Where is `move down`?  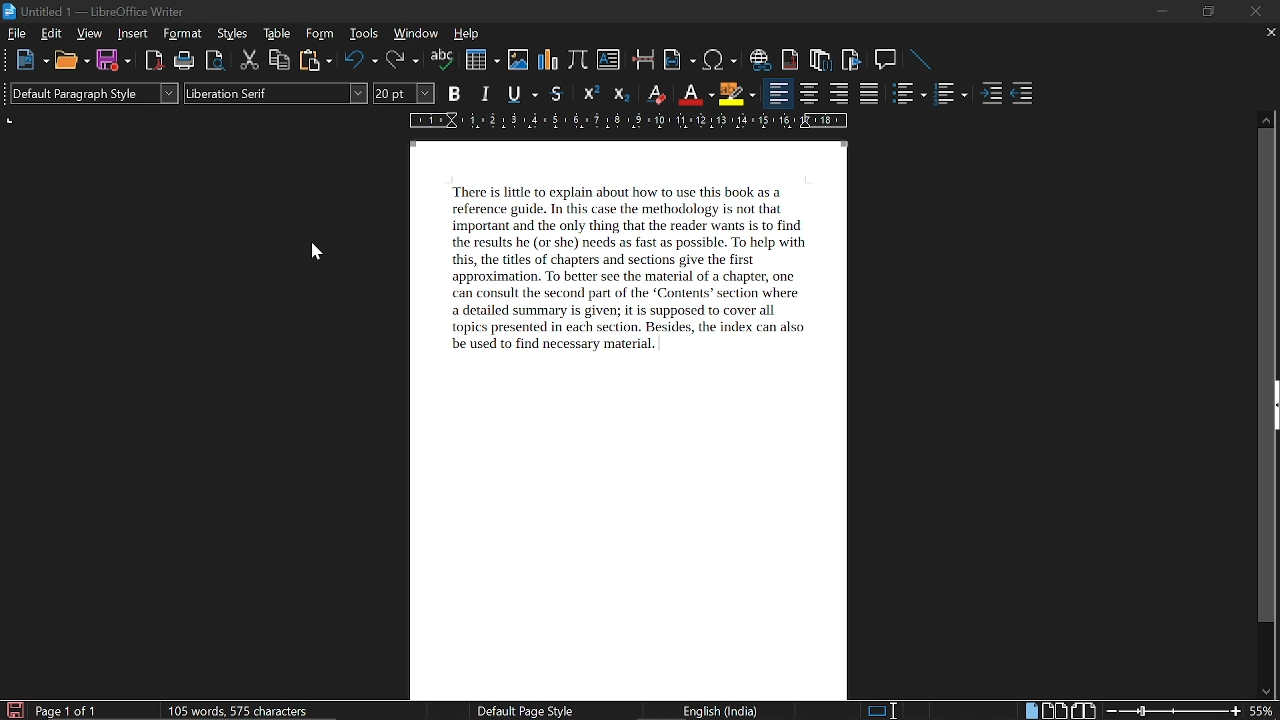 move down is located at coordinates (1262, 692).